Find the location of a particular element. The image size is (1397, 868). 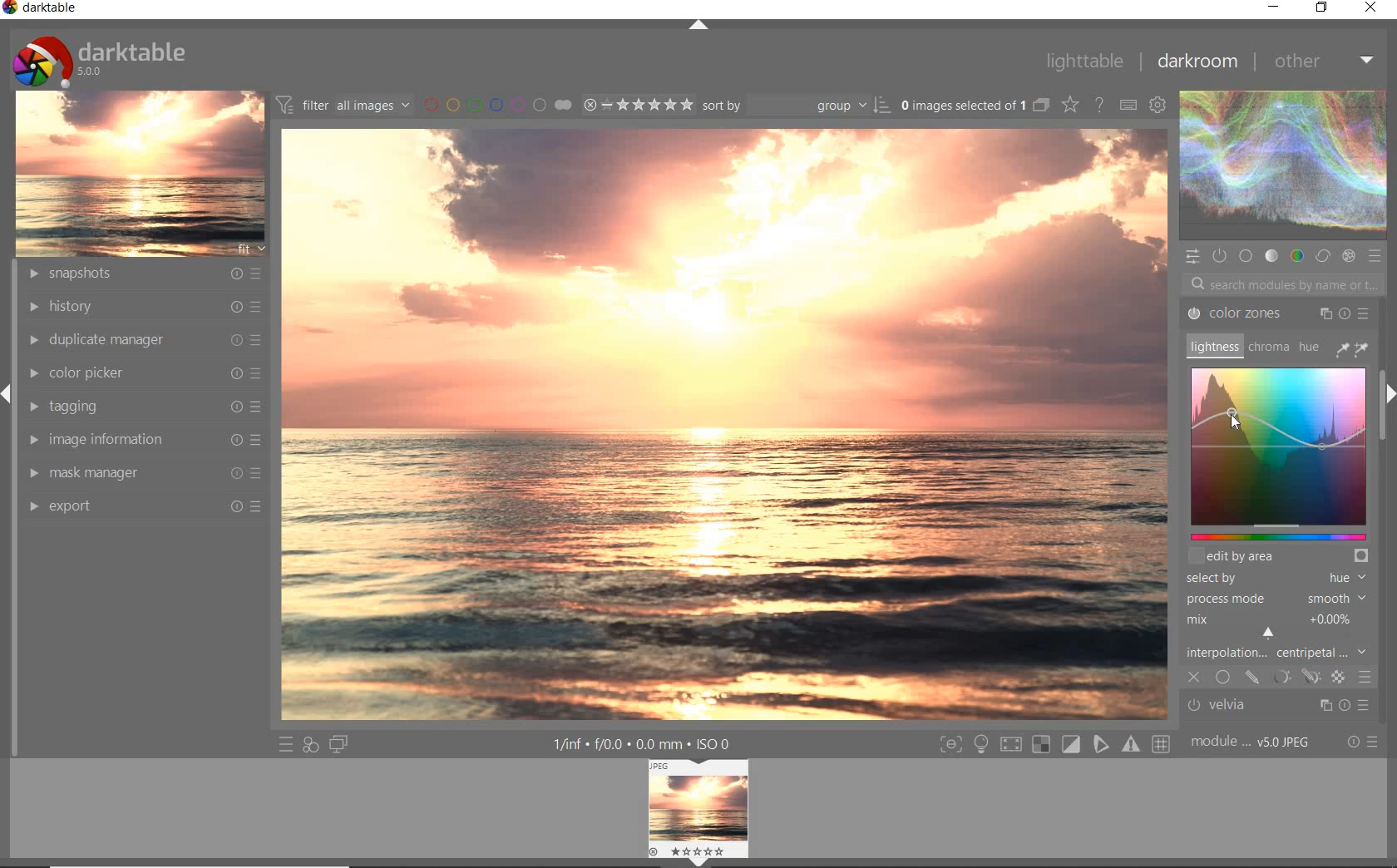

QUICK ACCESS FOR APPLYING ANY OF YOUR STYLE is located at coordinates (309, 746).